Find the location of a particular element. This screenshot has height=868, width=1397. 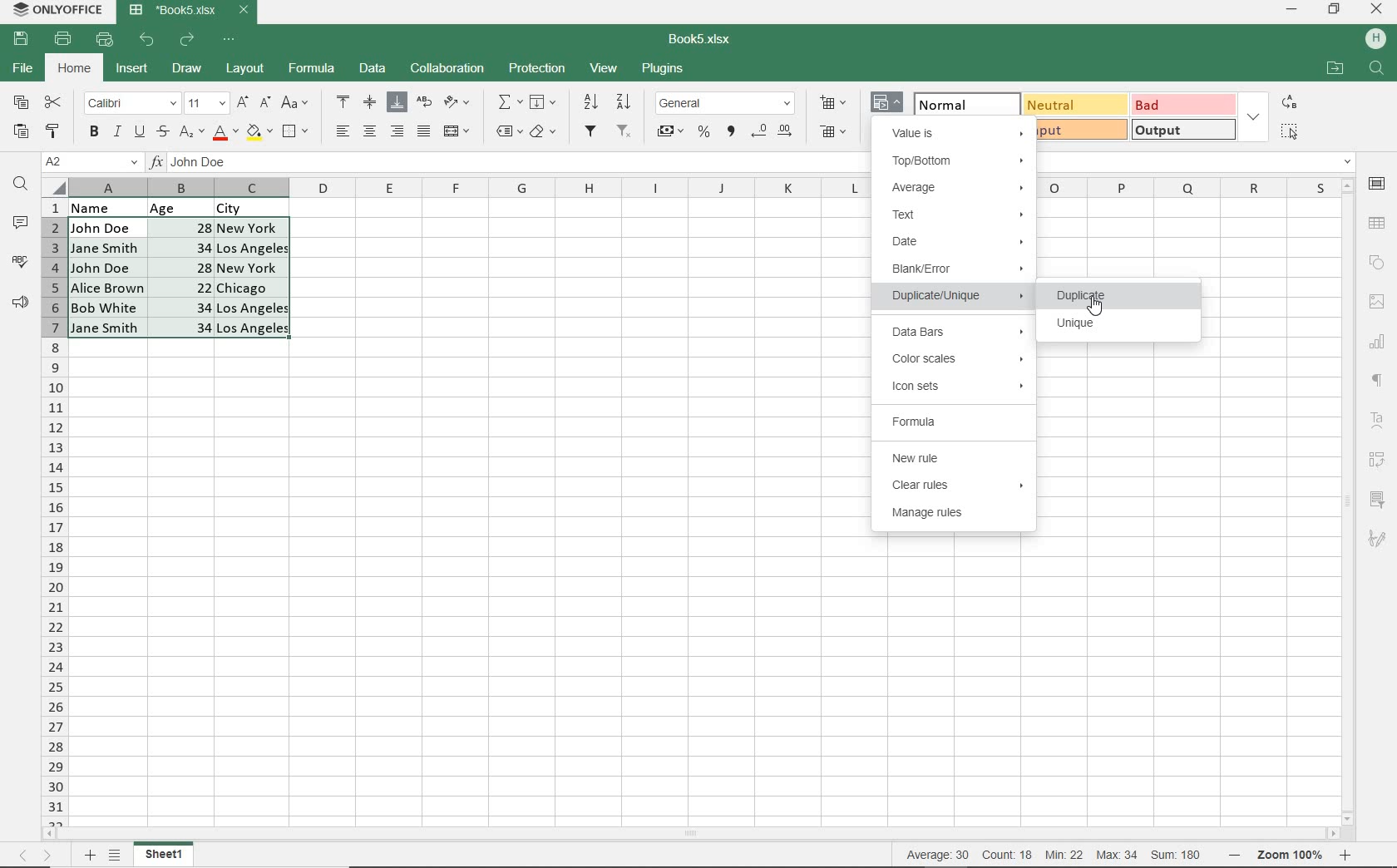

BOLD is located at coordinates (93, 133).